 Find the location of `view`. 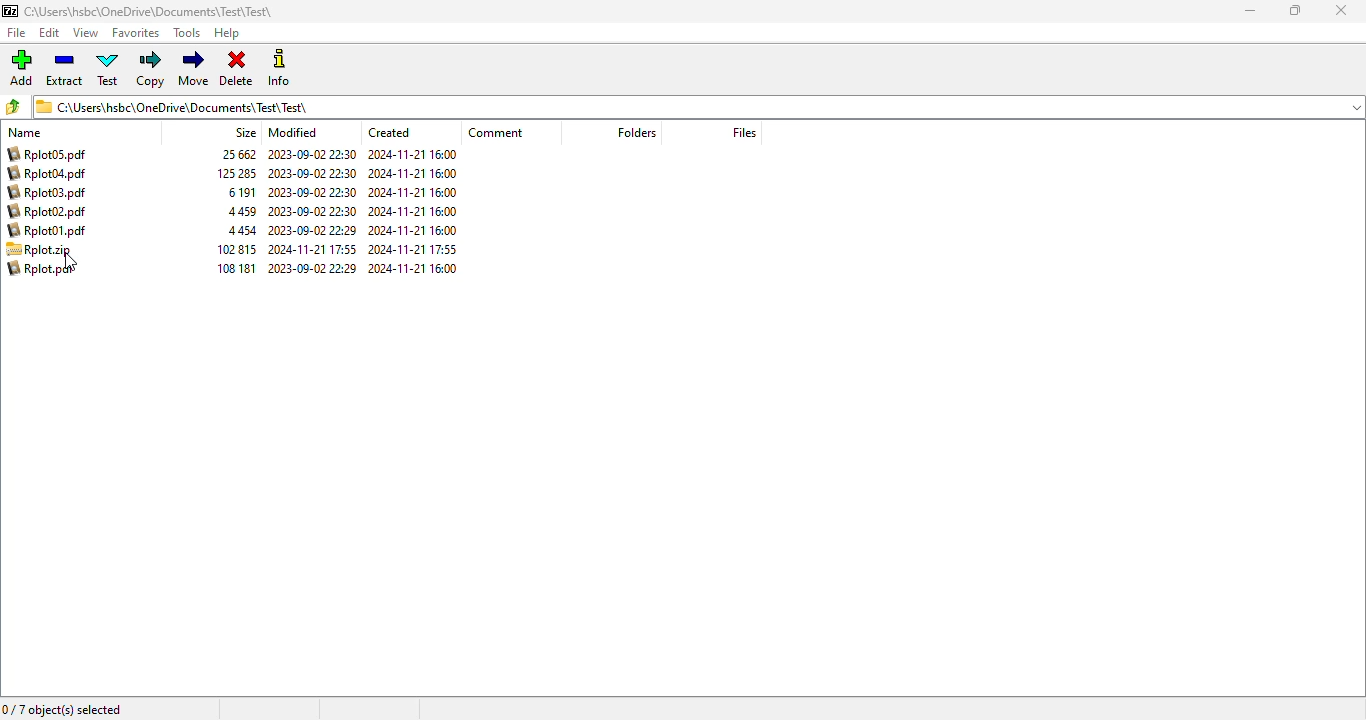

view is located at coordinates (85, 33).